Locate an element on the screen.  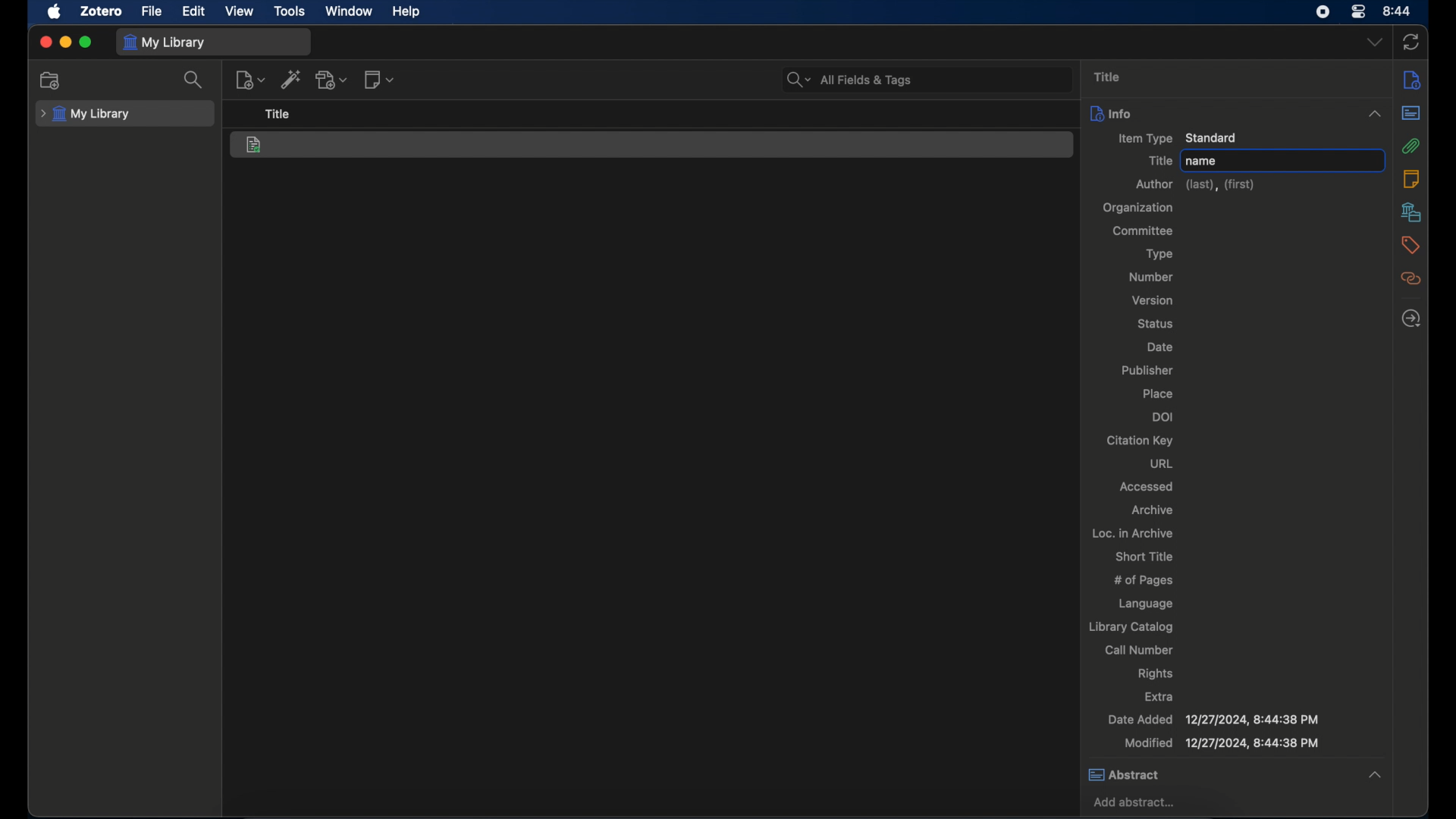
my library is located at coordinates (86, 115).